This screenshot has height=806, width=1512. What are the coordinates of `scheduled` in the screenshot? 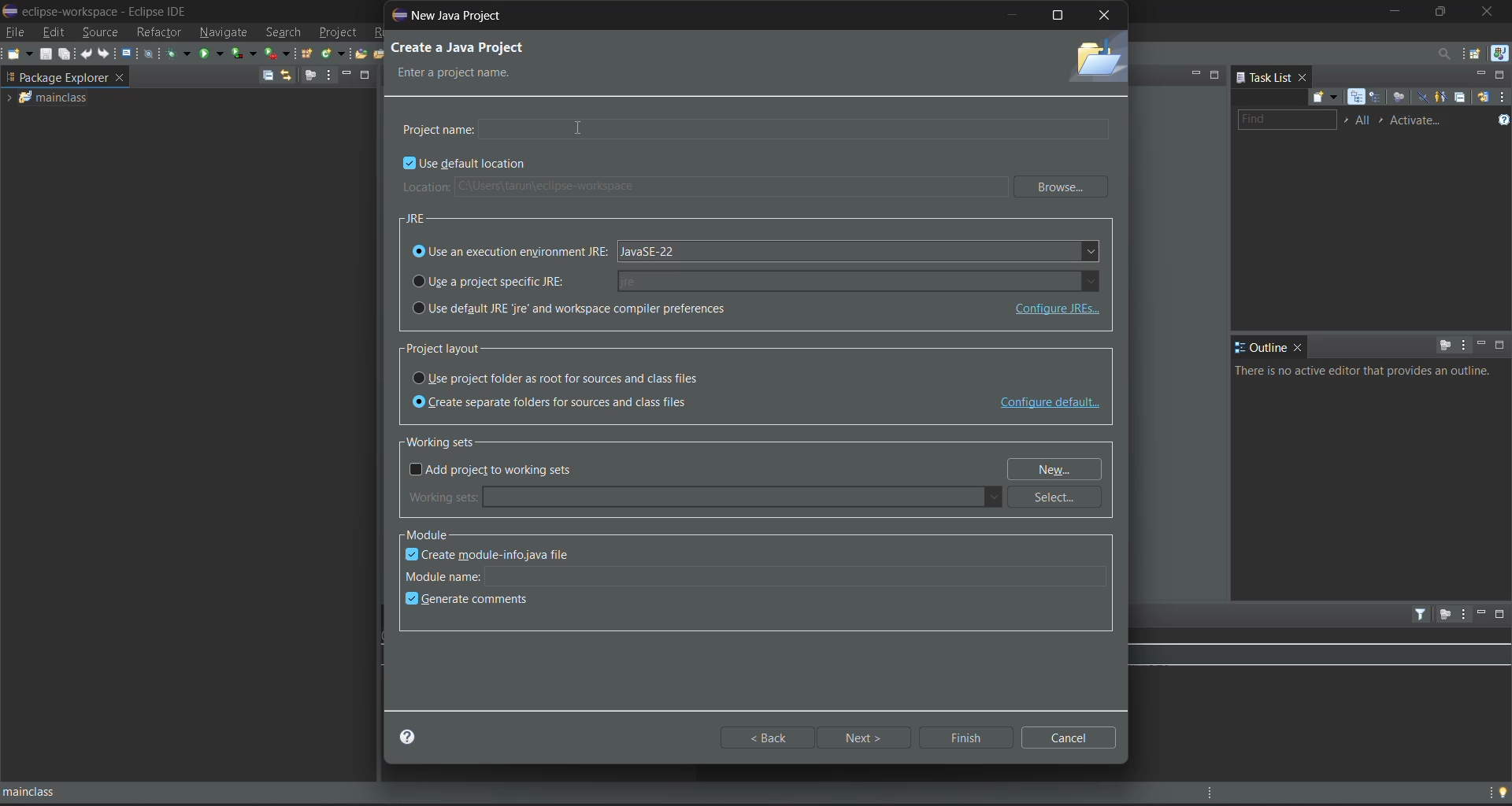 It's located at (1376, 97).